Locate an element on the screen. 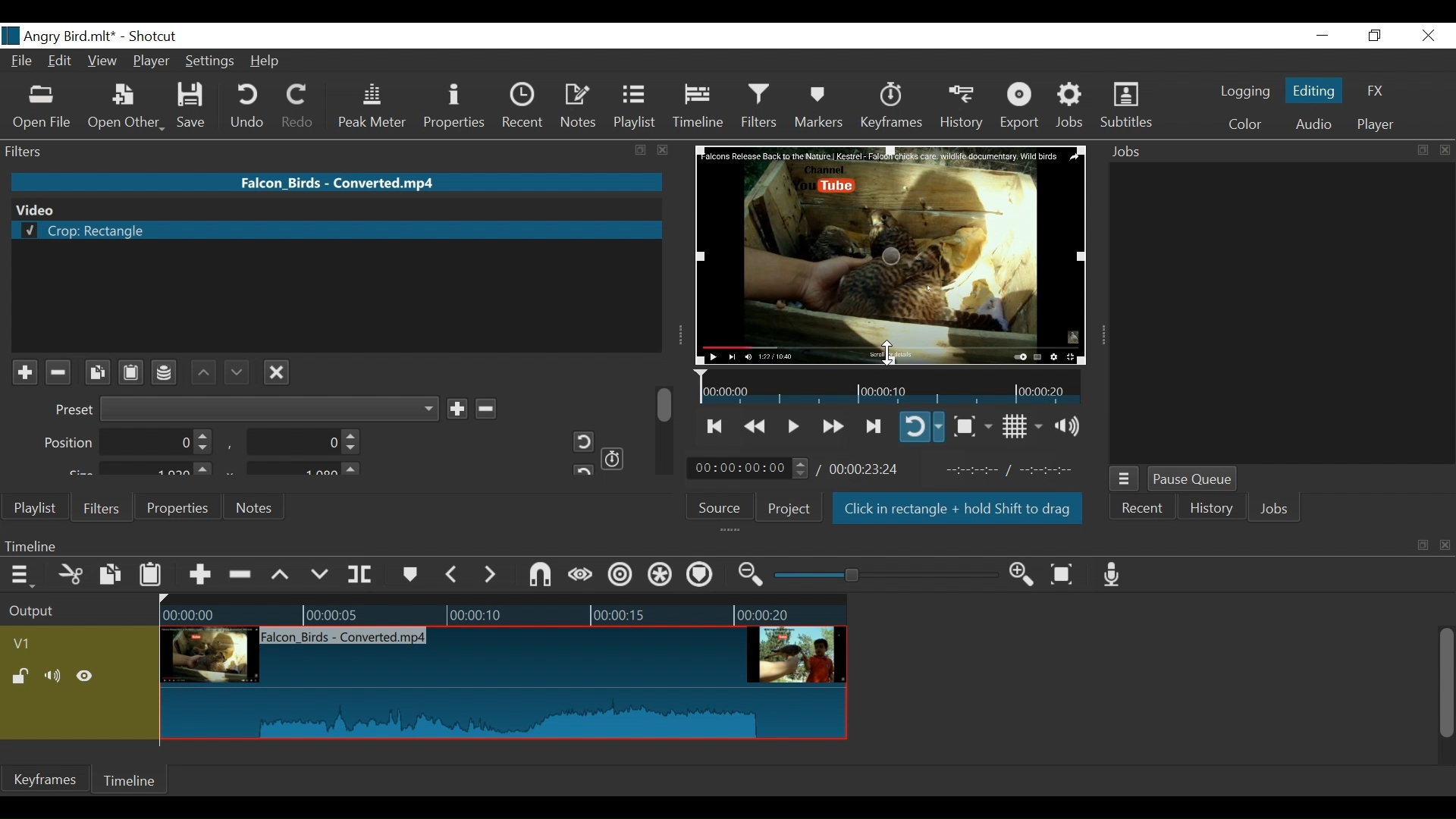  Recent is located at coordinates (1141, 510).